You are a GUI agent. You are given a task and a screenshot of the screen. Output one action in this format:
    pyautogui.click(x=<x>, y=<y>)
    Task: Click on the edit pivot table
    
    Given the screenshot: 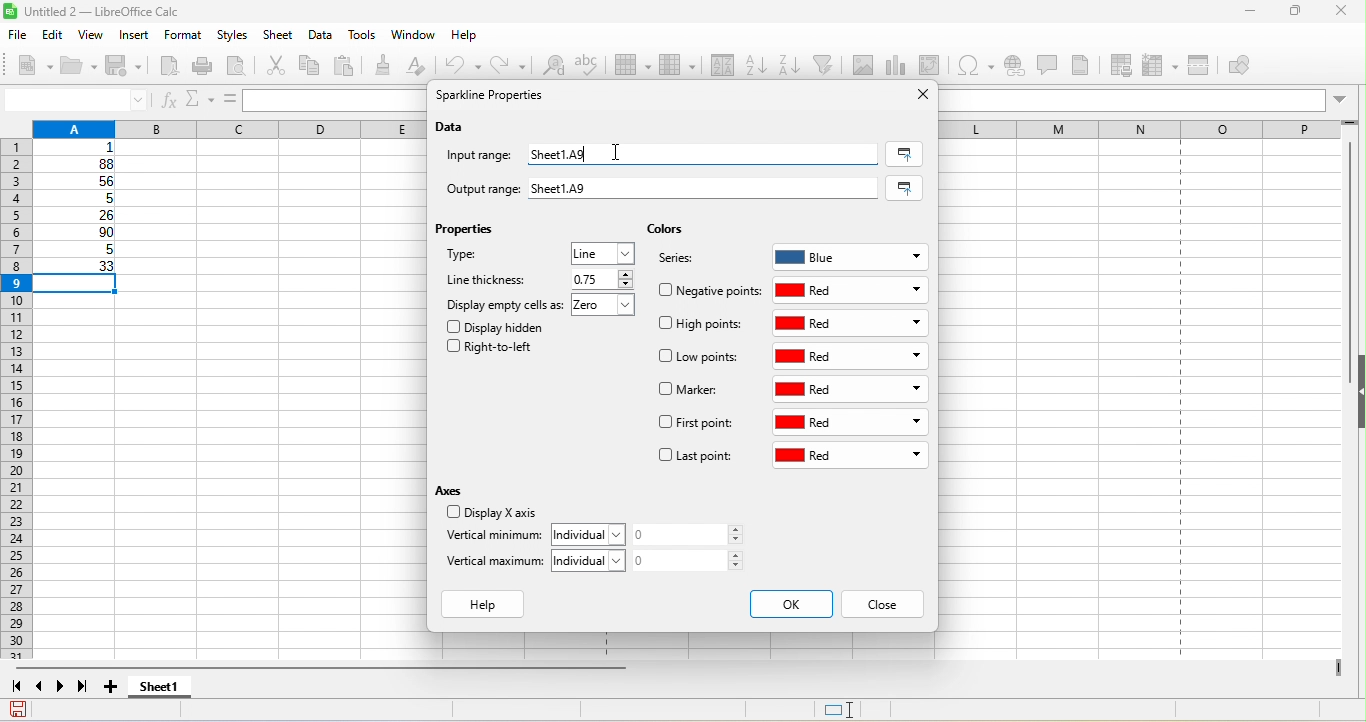 What is the action you would take?
    pyautogui.click(x=929, y=64)
    